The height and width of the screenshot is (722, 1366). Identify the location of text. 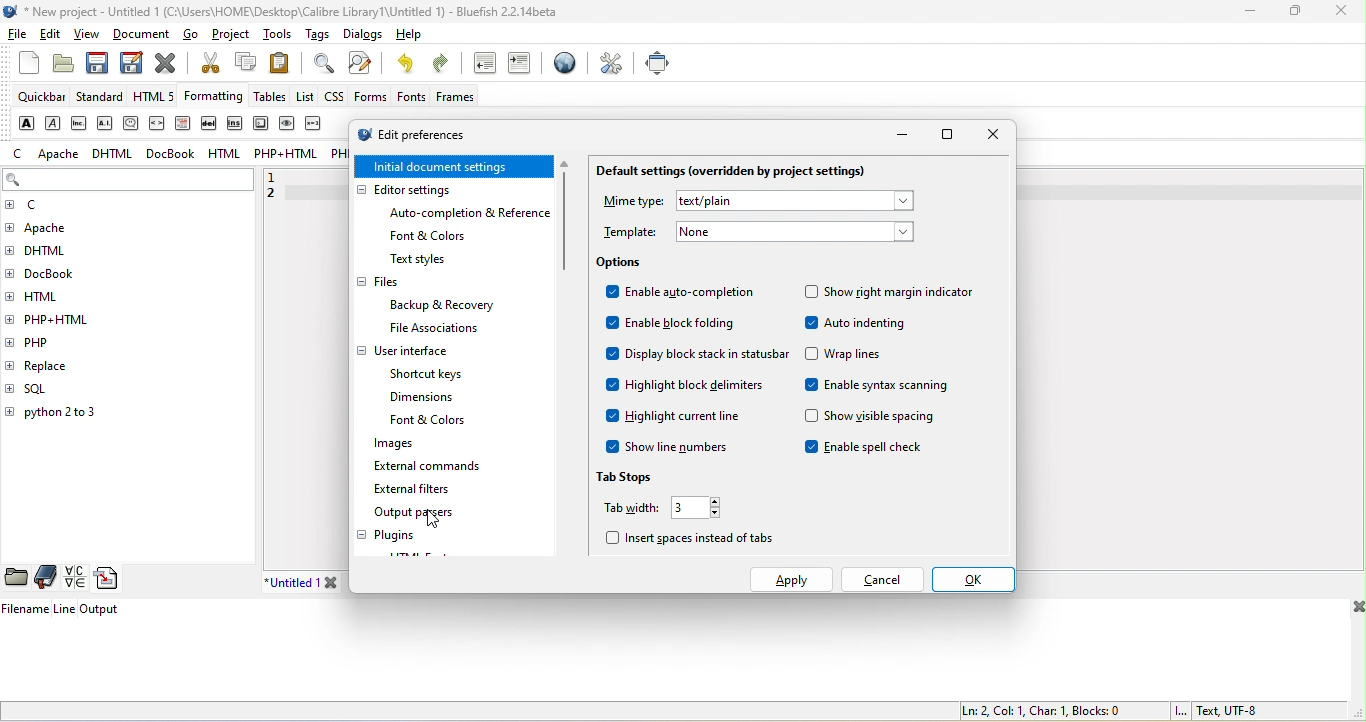
(794, 201).